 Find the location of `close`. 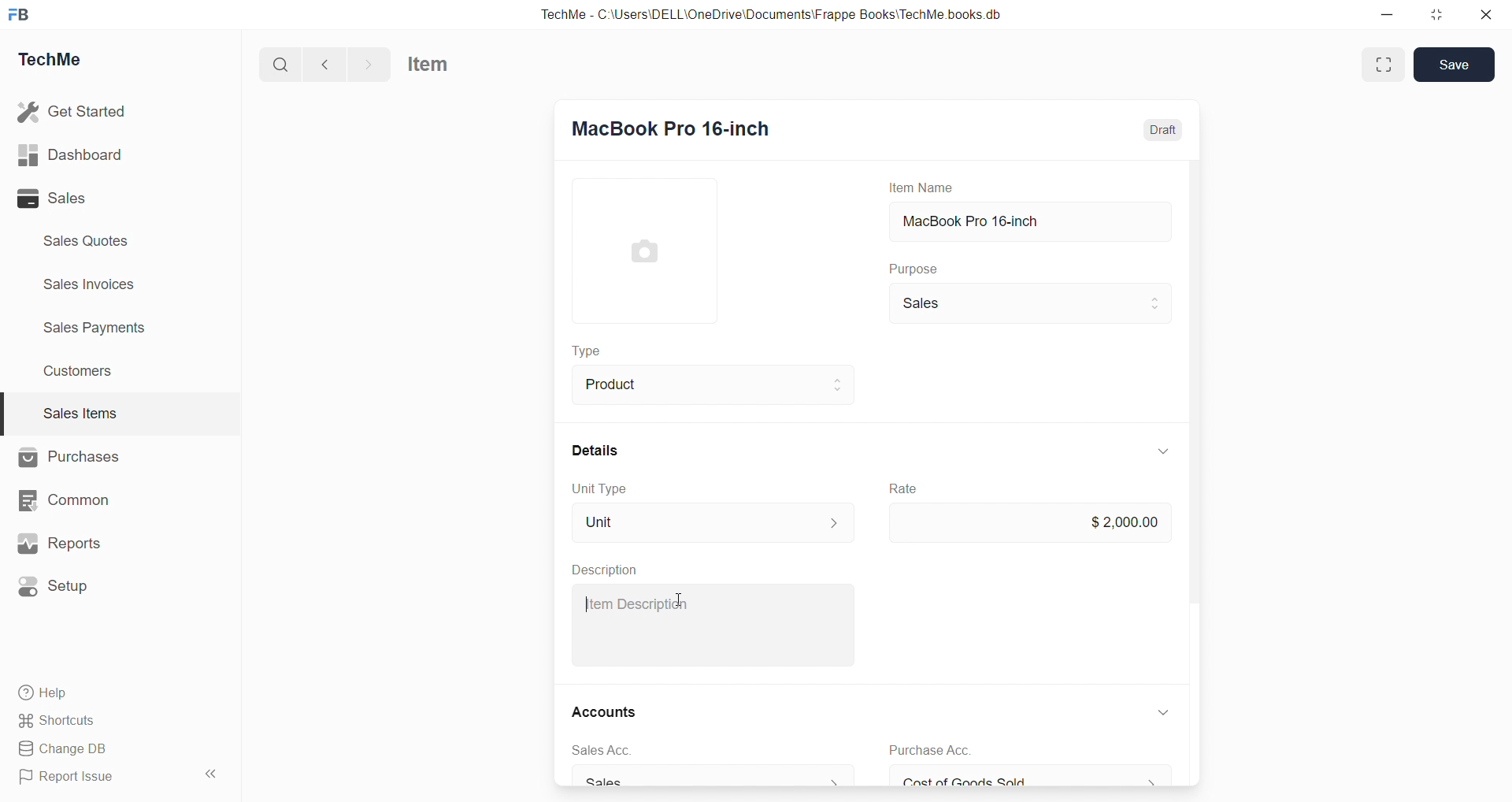

close is located at coordinates (1487, 14).